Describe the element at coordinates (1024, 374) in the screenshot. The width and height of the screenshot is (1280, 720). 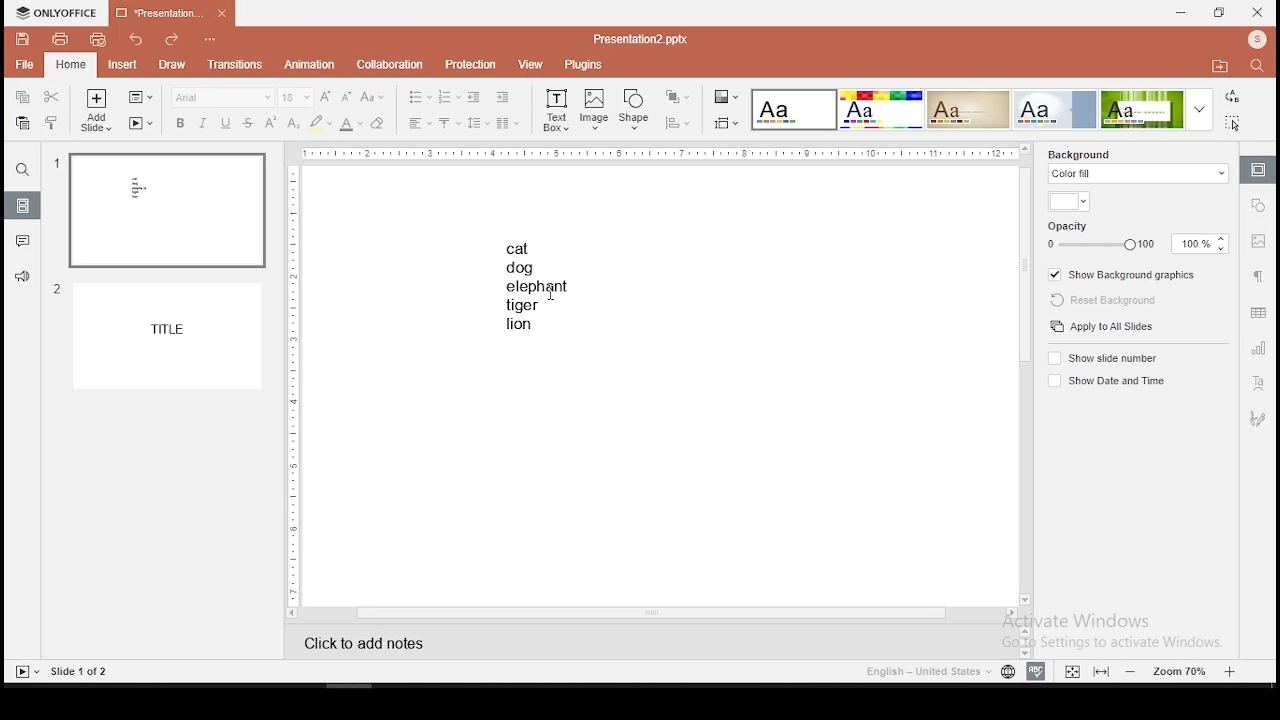
I see `scroll bar` at that location.